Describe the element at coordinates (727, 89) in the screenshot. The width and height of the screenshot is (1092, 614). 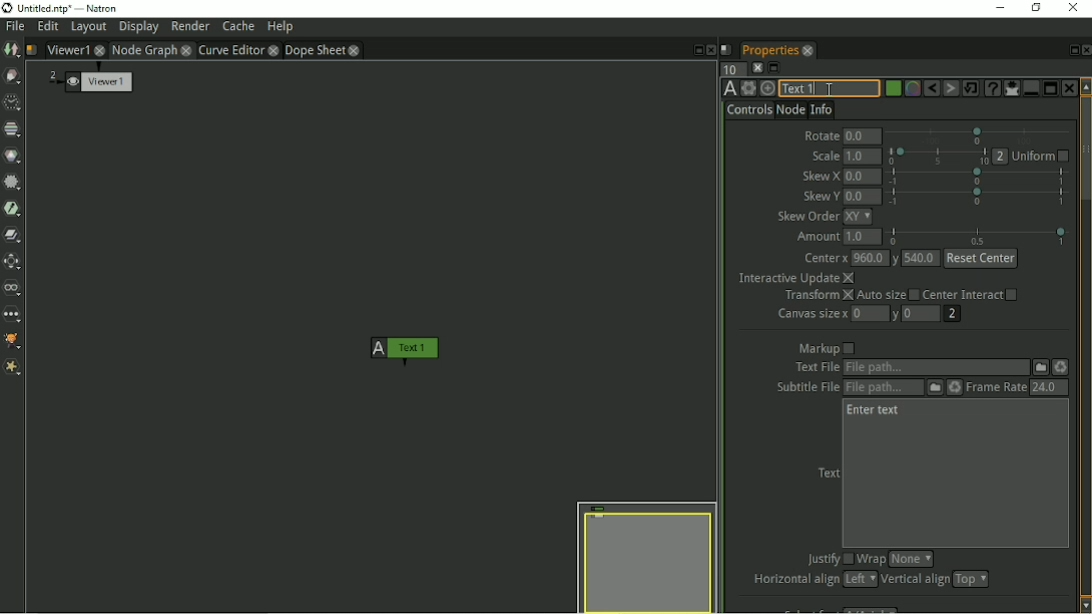
I see `TextOFX version 6.13` at that location.